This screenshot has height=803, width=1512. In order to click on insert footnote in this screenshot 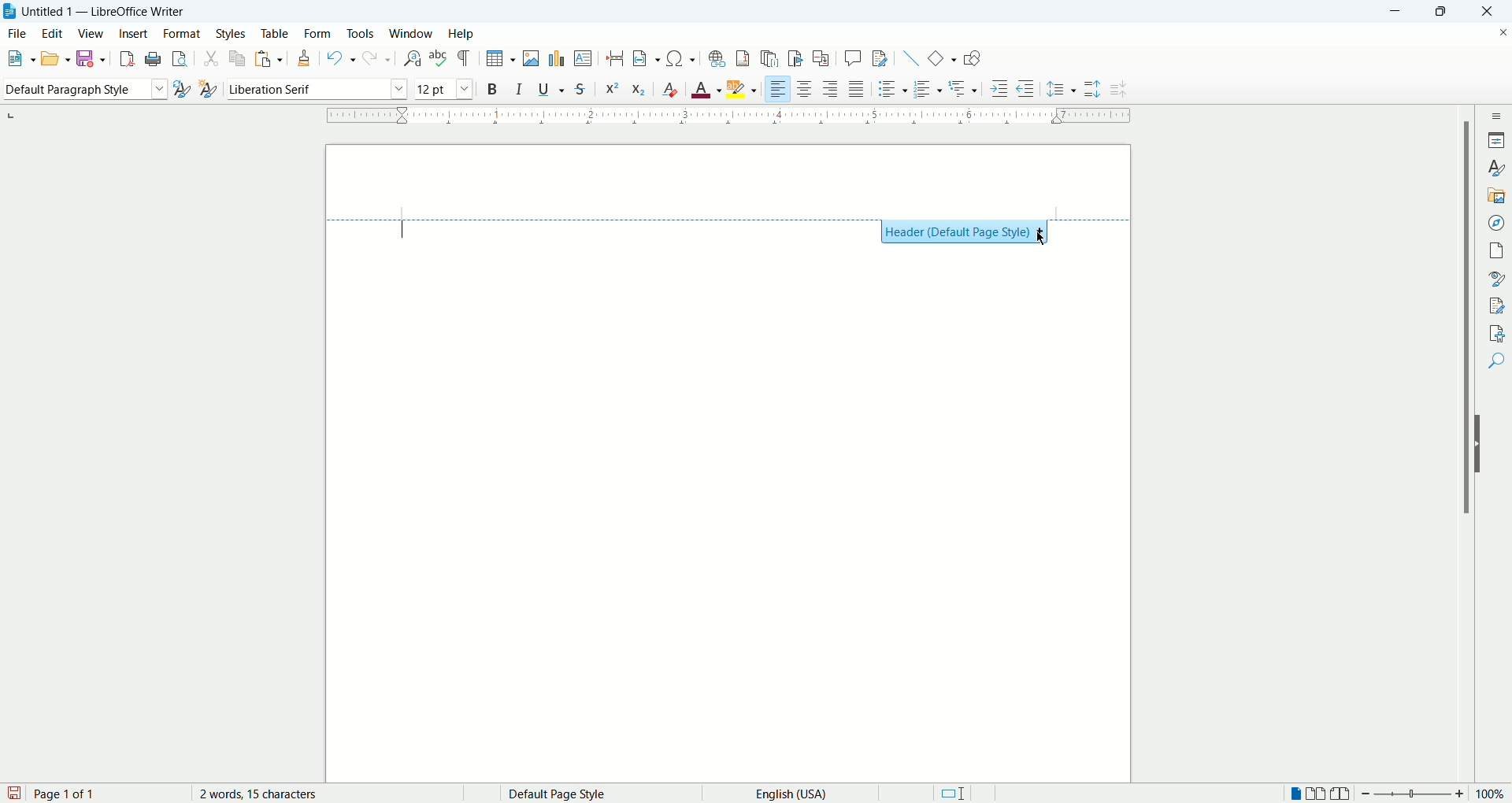, I will do `click(718, 59)`.